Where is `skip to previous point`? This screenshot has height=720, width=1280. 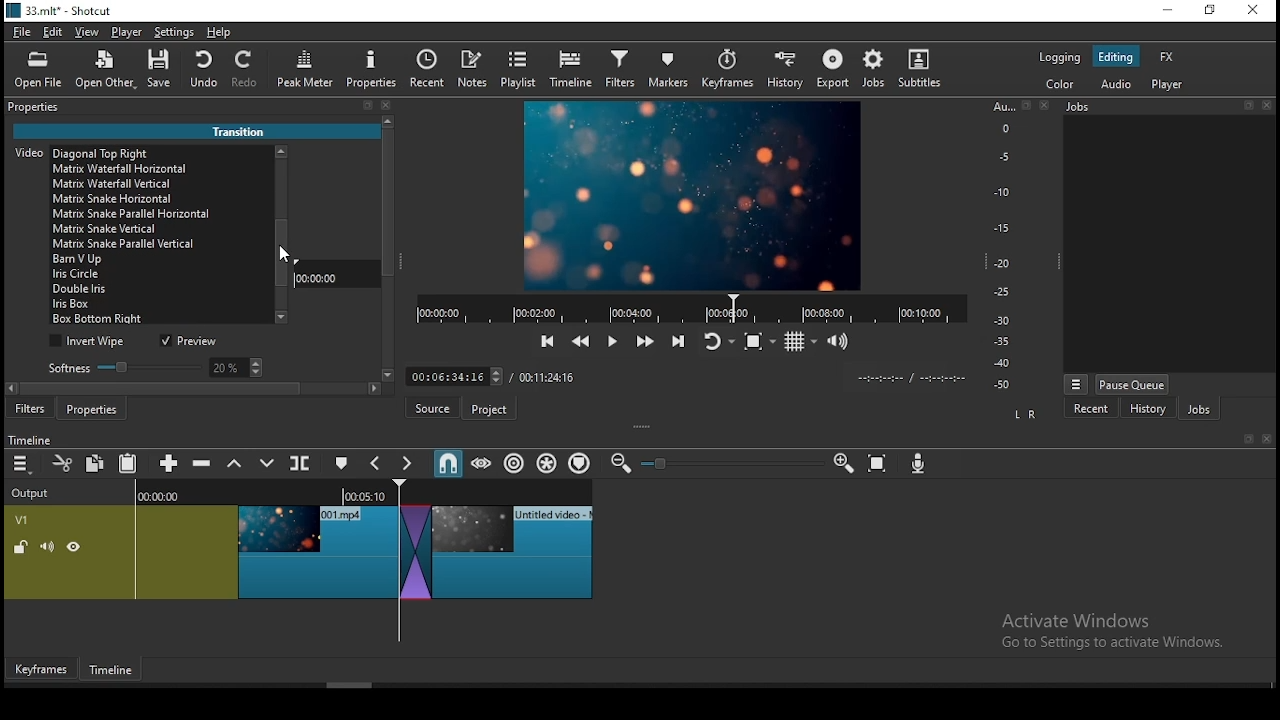 skip to previous point is located at coordinates (545, 342).